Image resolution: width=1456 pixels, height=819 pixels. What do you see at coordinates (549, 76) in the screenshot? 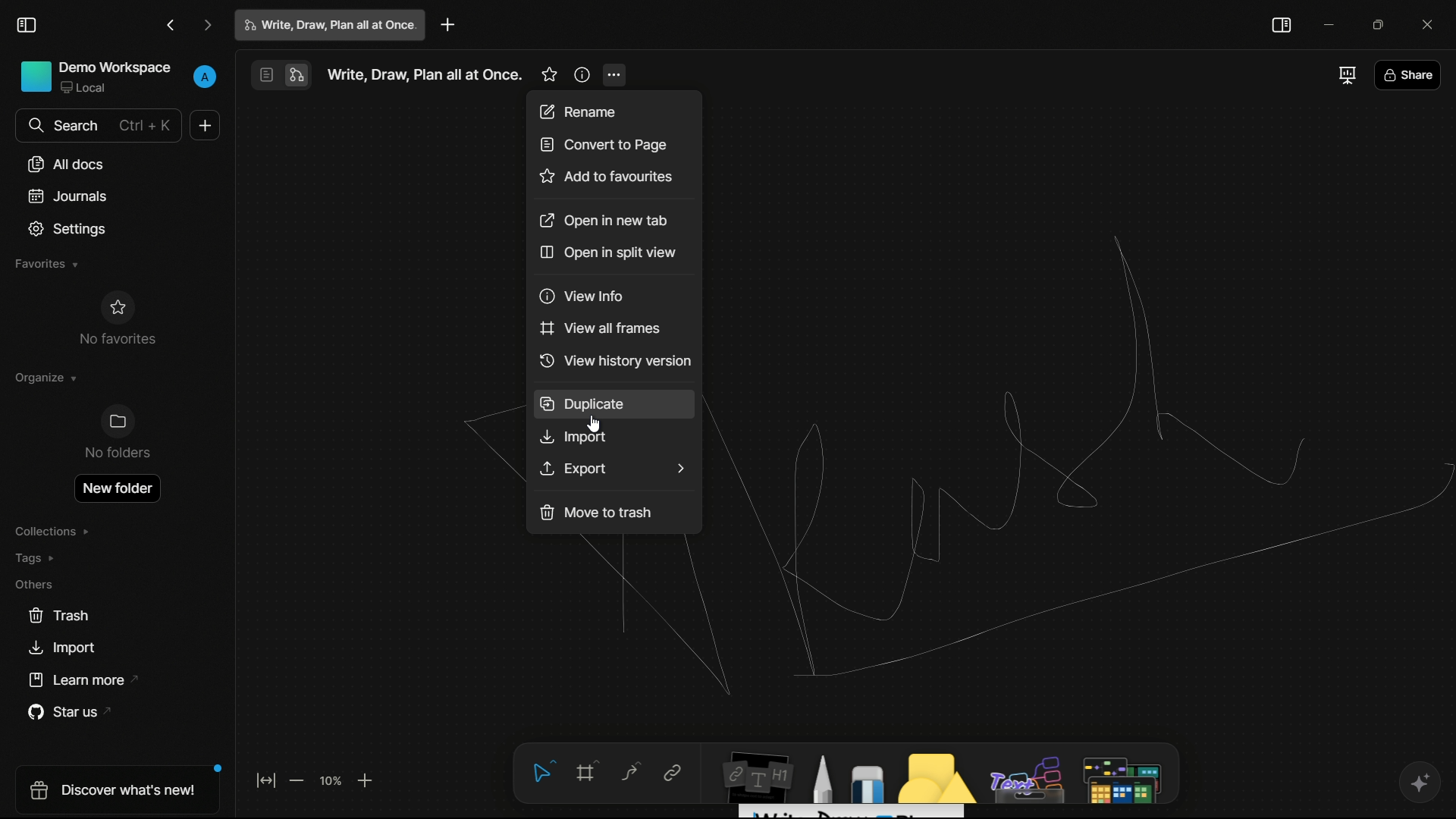
I see `favorites` at bounding box center [549, 76].